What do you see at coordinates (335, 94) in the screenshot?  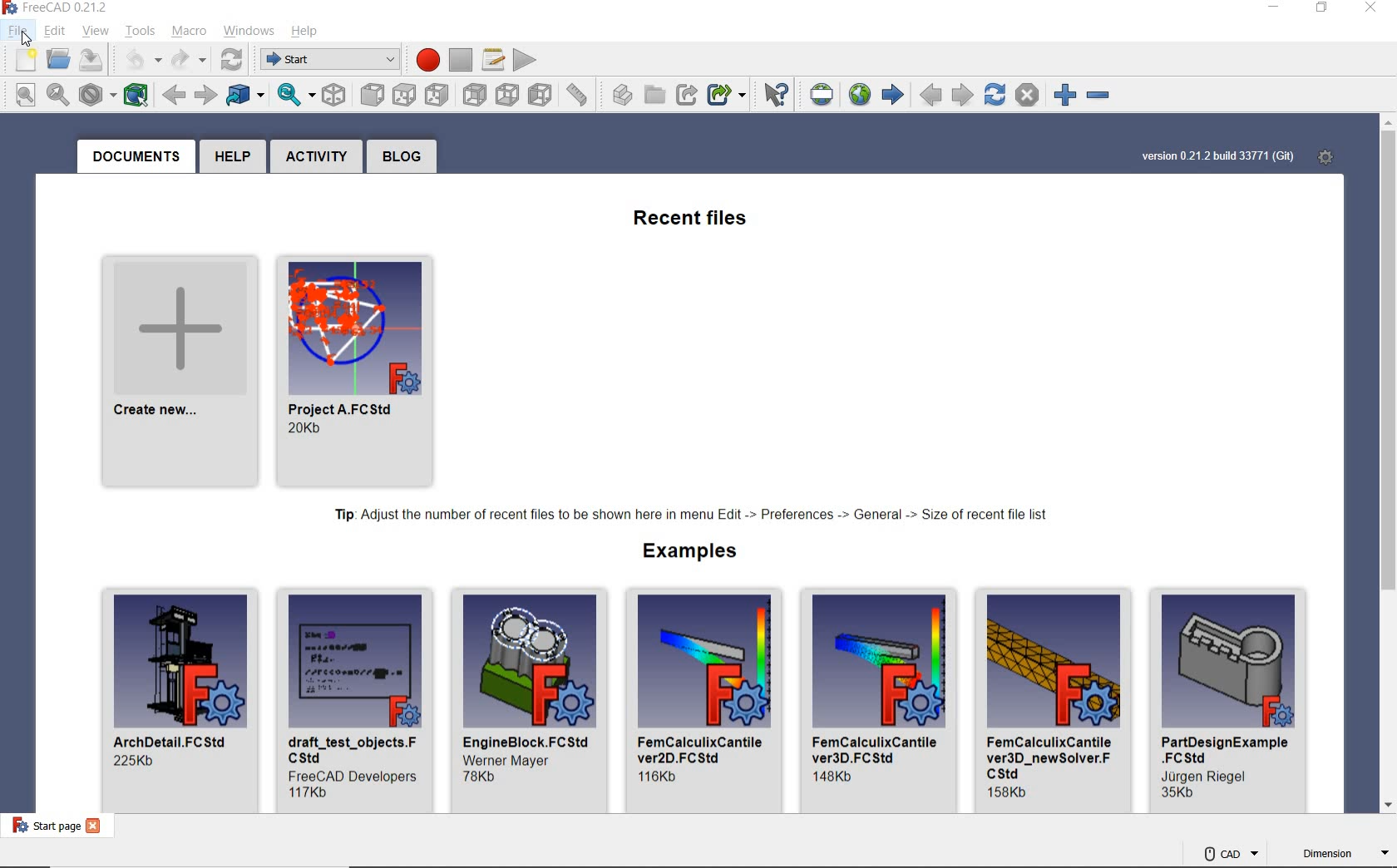 I see `ISOMETRIC` at bounding box center [335, 94].